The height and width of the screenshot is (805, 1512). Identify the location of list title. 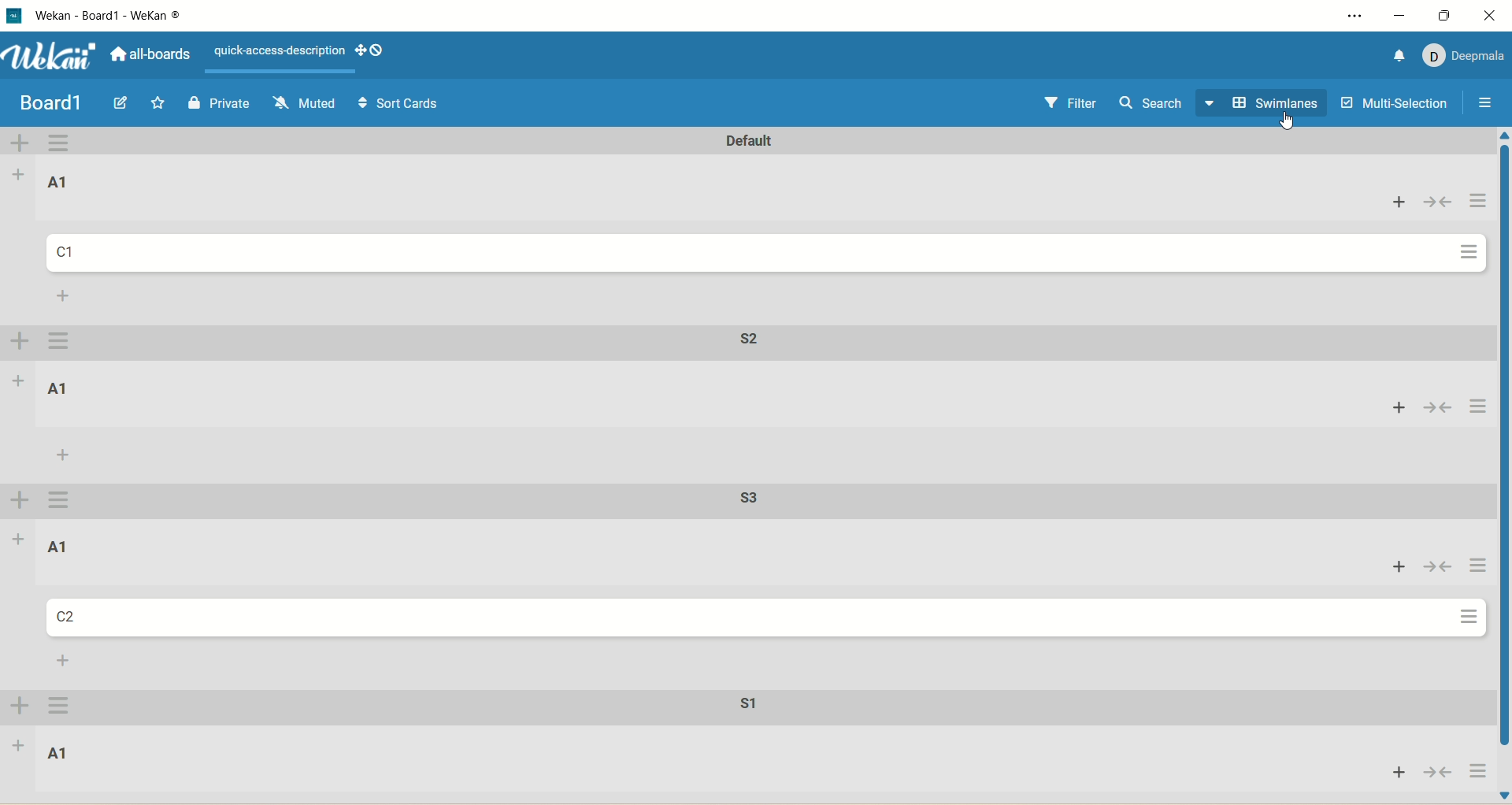
(58, 387).